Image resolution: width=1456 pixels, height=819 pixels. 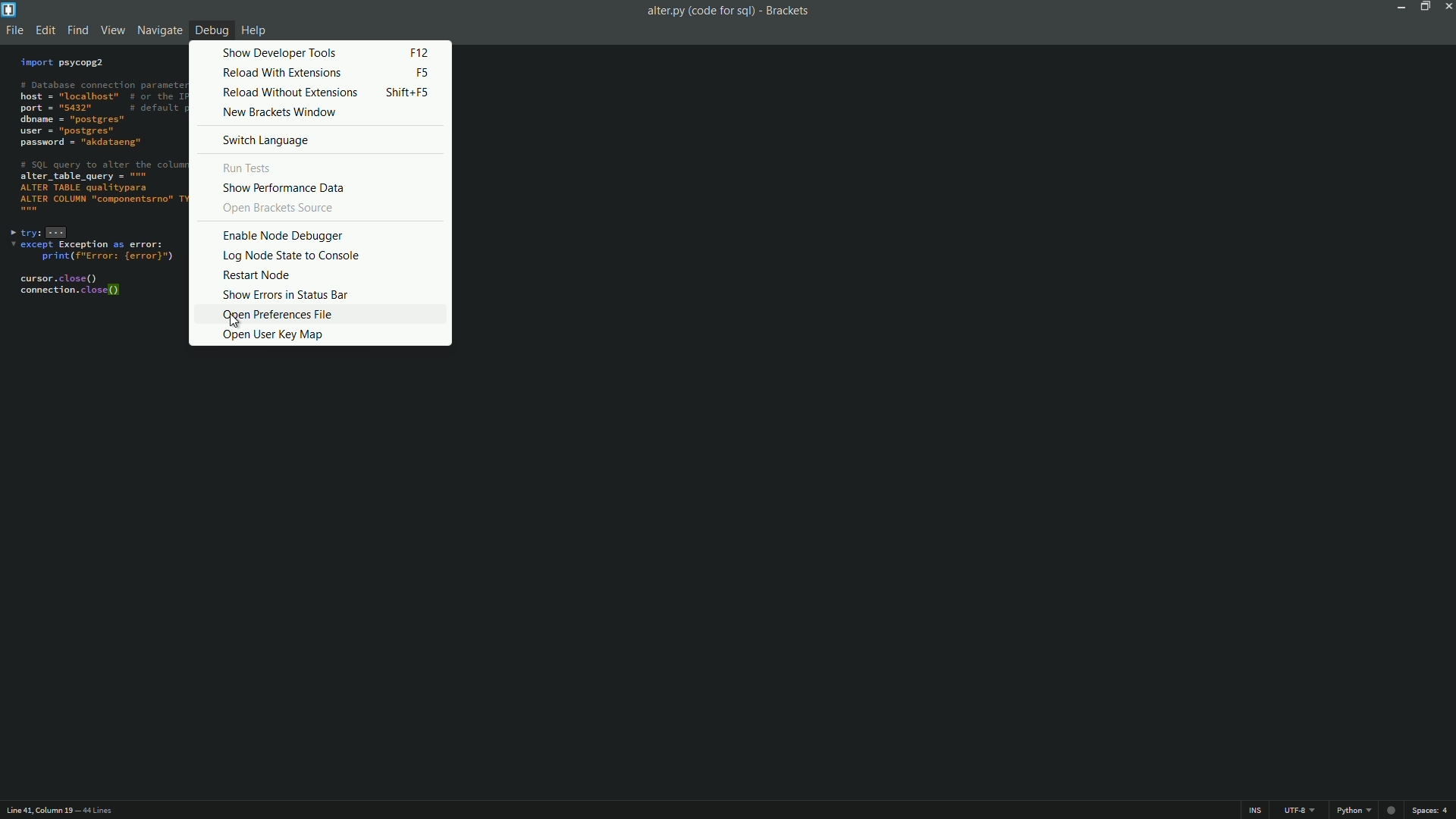 I want to click on New bracket window, so click(x=316, y=112).